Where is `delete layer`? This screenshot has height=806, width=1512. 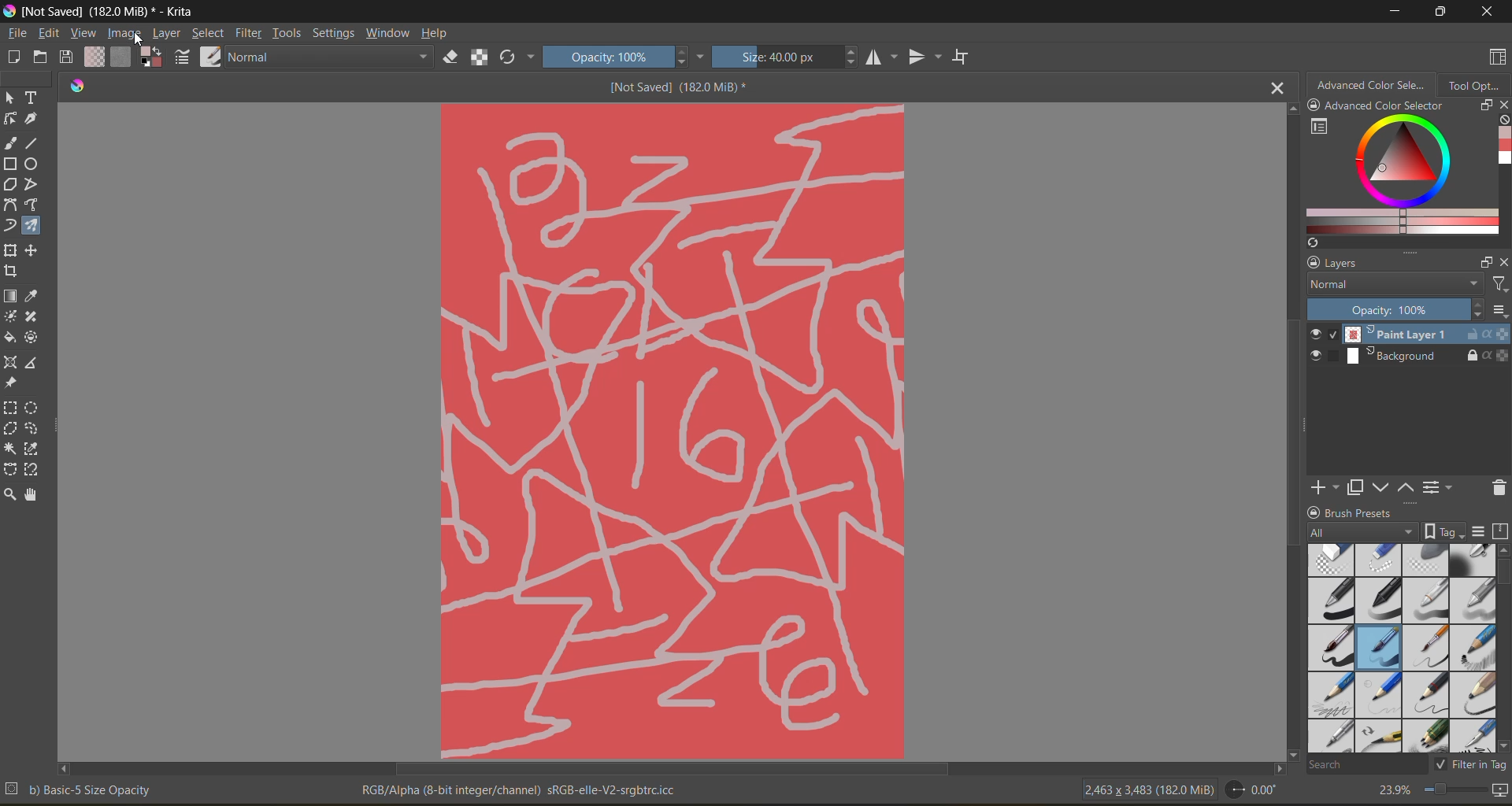
delete layer is located at coordinates (1497, 490).